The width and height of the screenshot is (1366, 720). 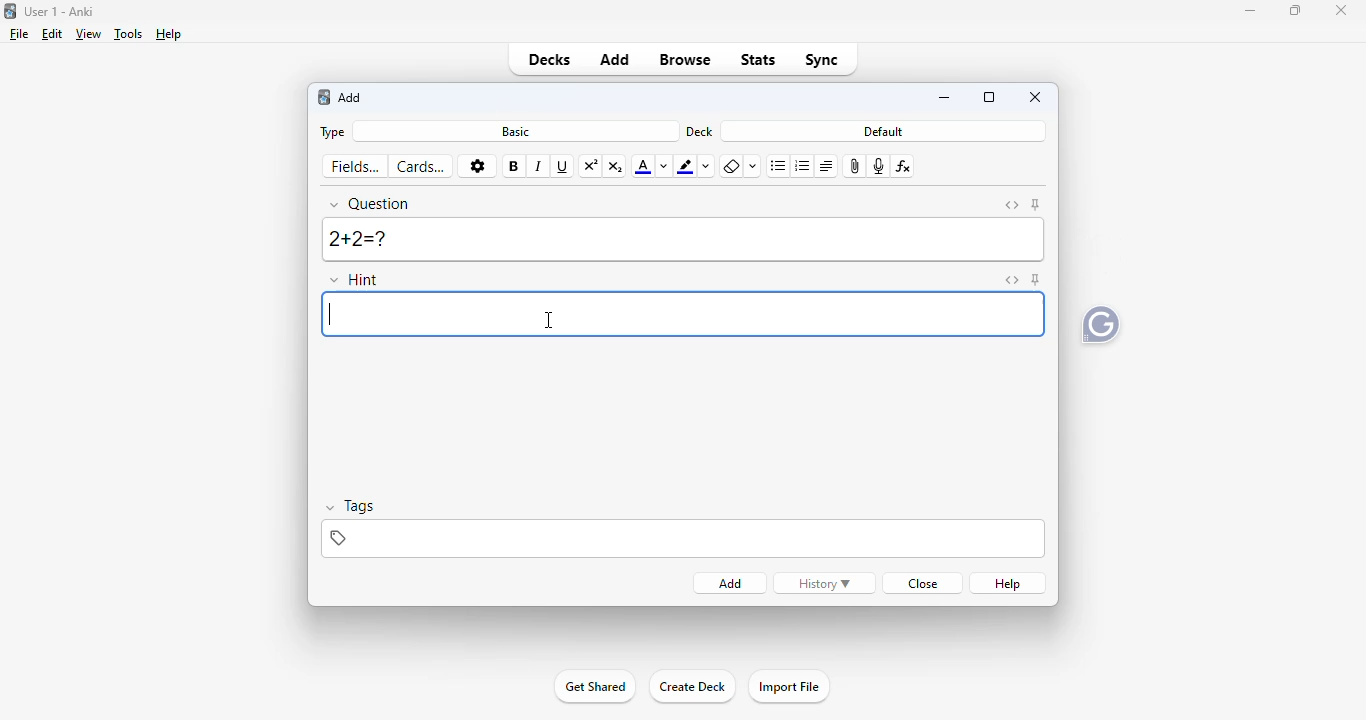 What do you see at coordinates (1101, 328) in the screenshot?
I see `grammarly extension` at bounding box center [1101, 328].